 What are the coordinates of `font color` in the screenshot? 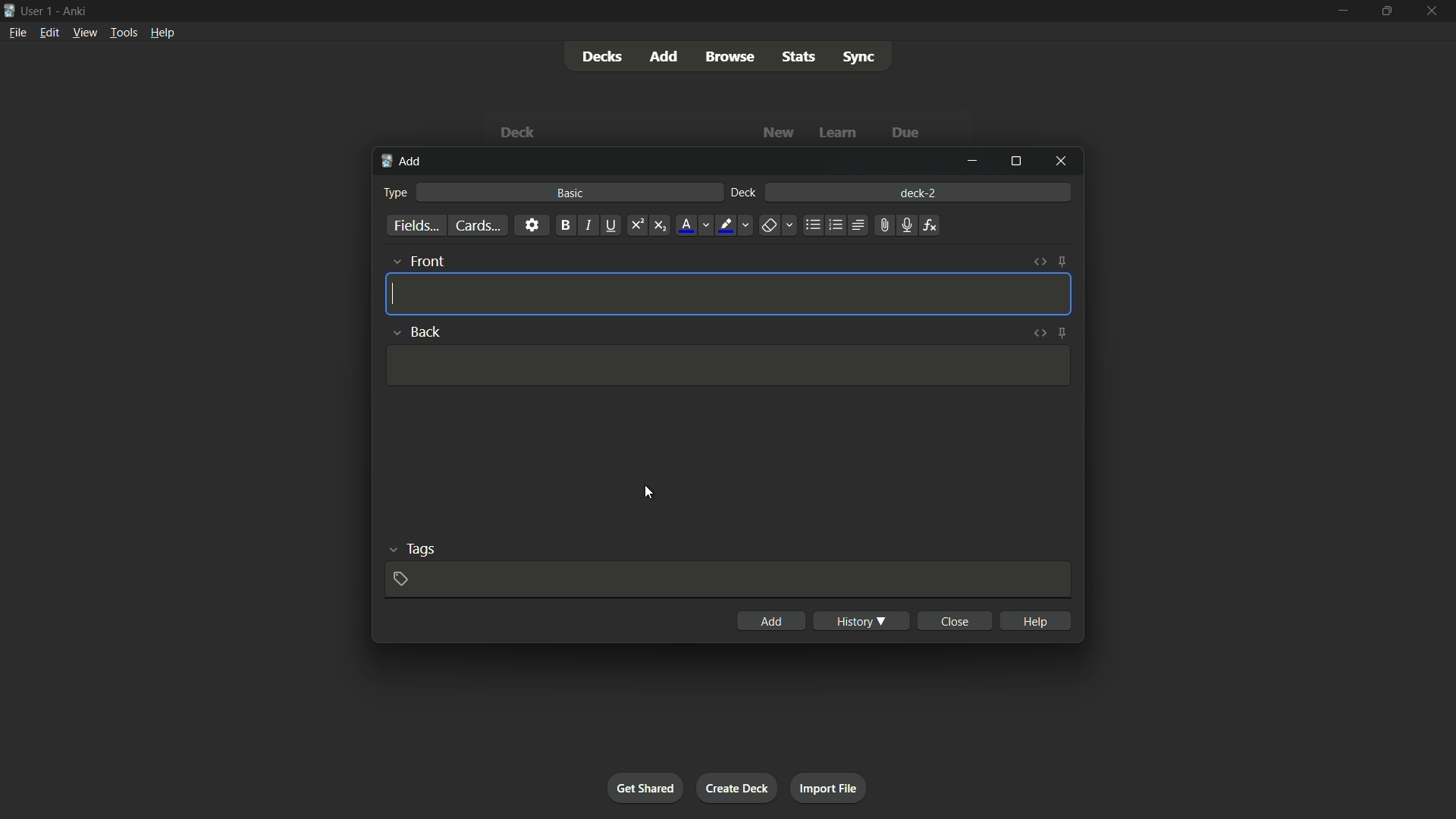 It's located at (693, 225).